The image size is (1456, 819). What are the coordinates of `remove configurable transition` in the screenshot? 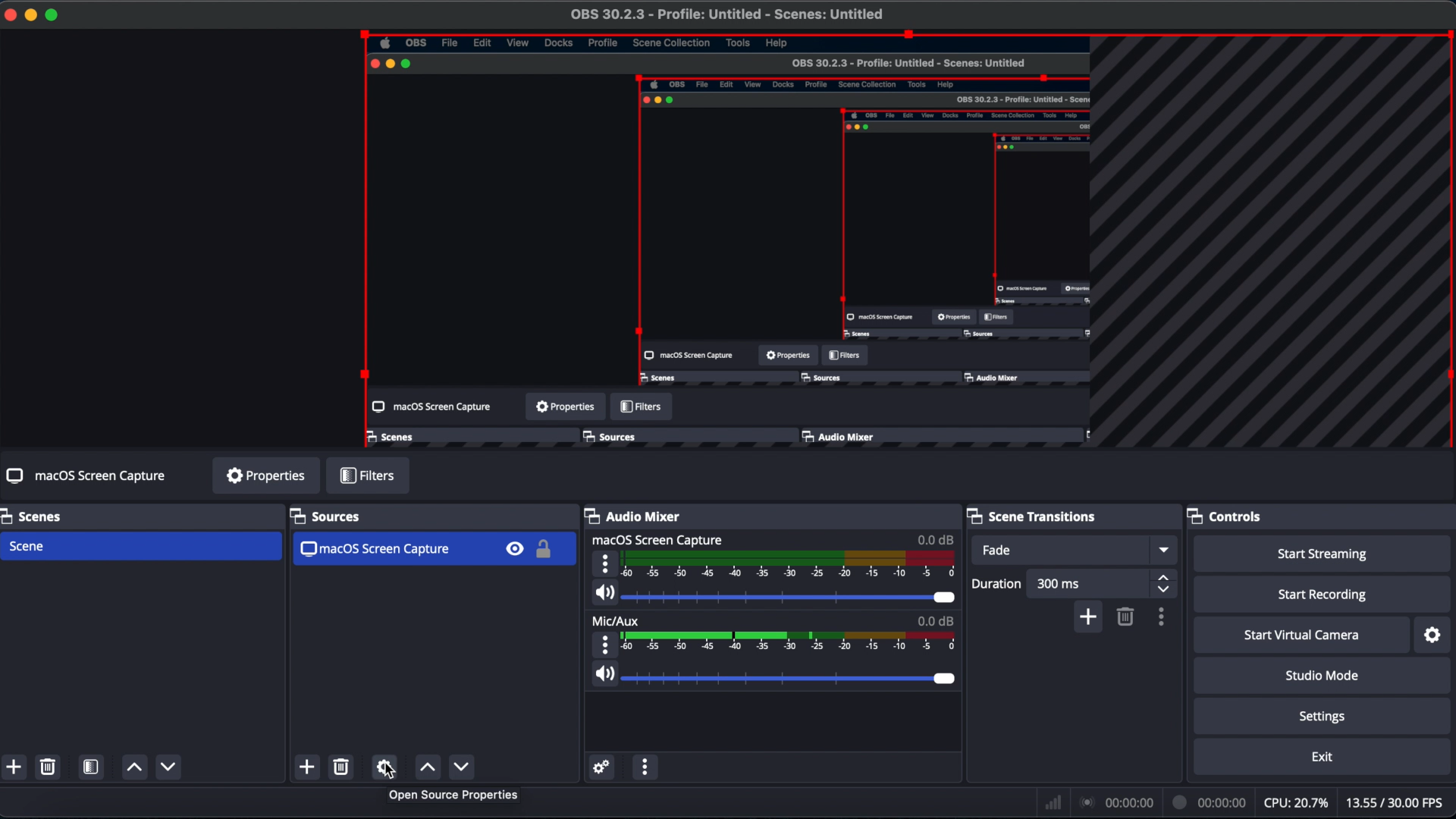 It's located at (1126, 617).